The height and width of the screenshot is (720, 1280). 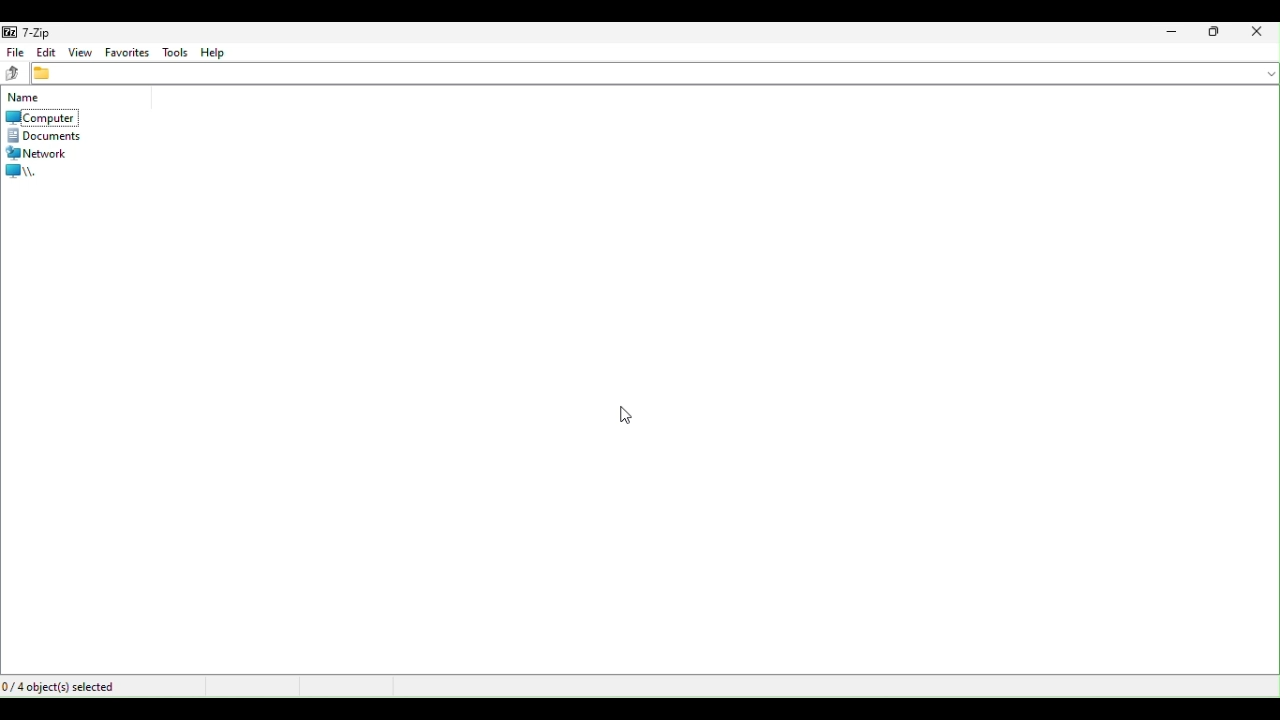 I want to click on up , so click(x=14, y=71).